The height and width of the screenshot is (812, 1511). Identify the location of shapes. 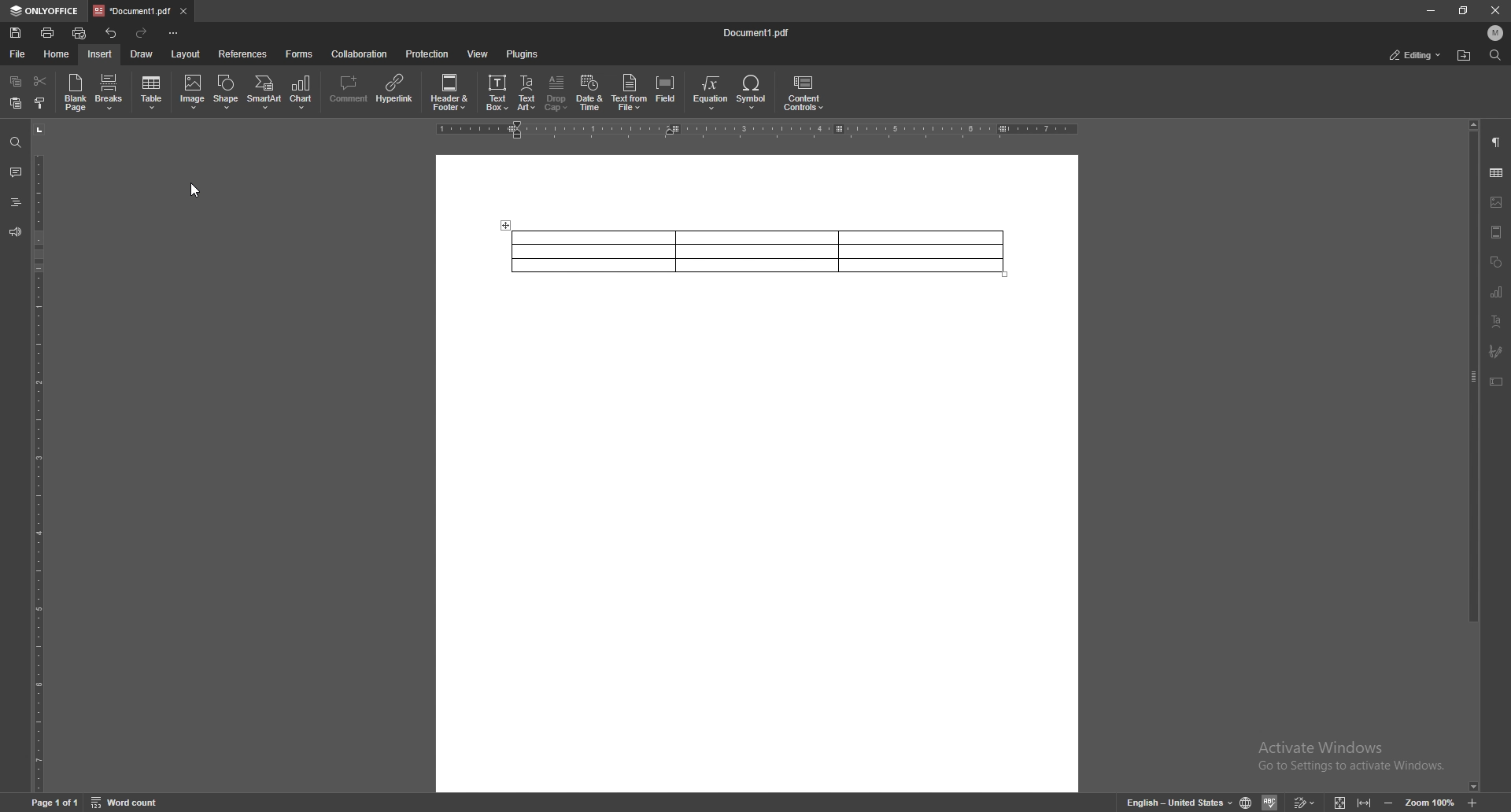
(1495, 263).